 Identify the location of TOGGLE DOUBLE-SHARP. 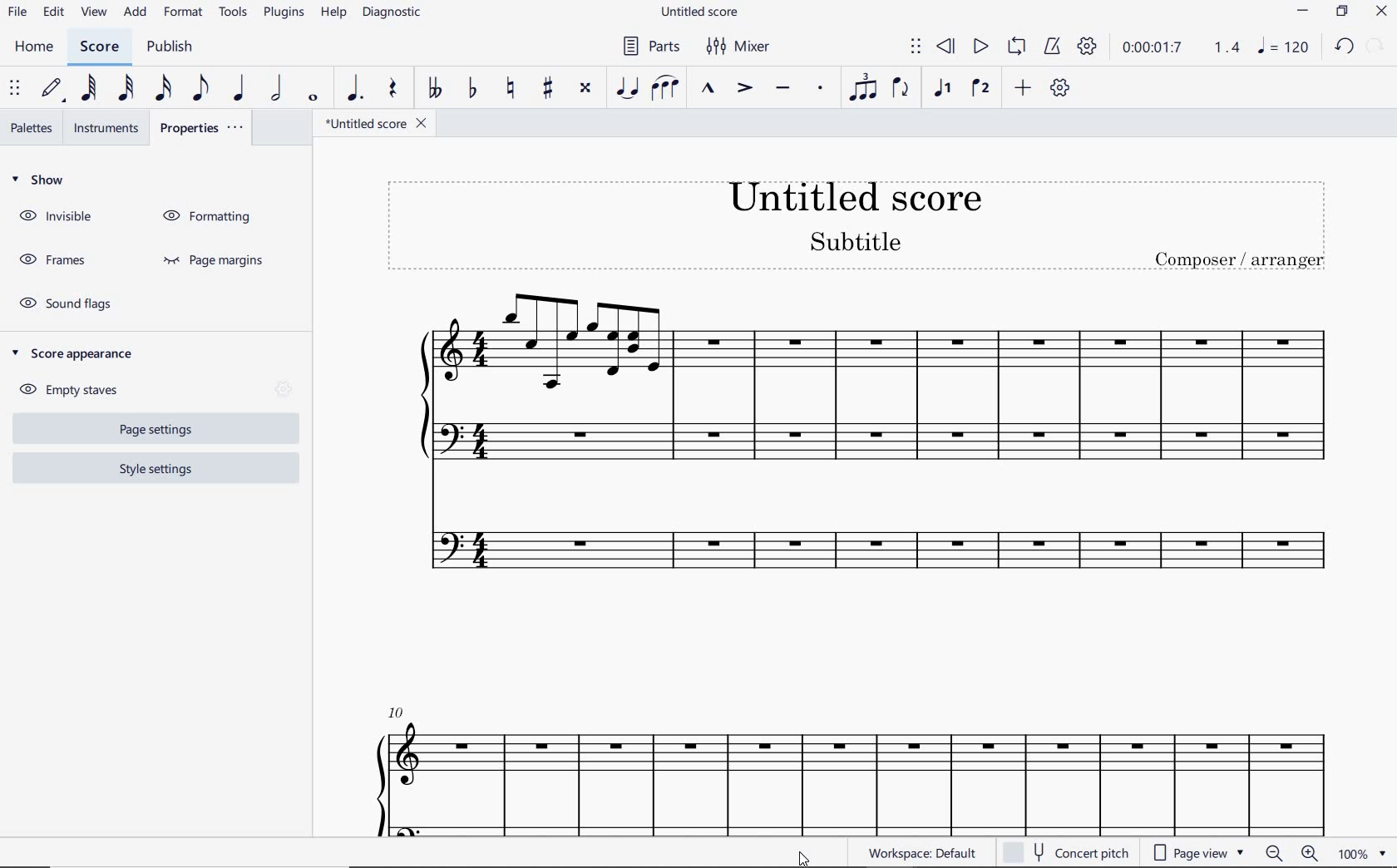
(585, 88).